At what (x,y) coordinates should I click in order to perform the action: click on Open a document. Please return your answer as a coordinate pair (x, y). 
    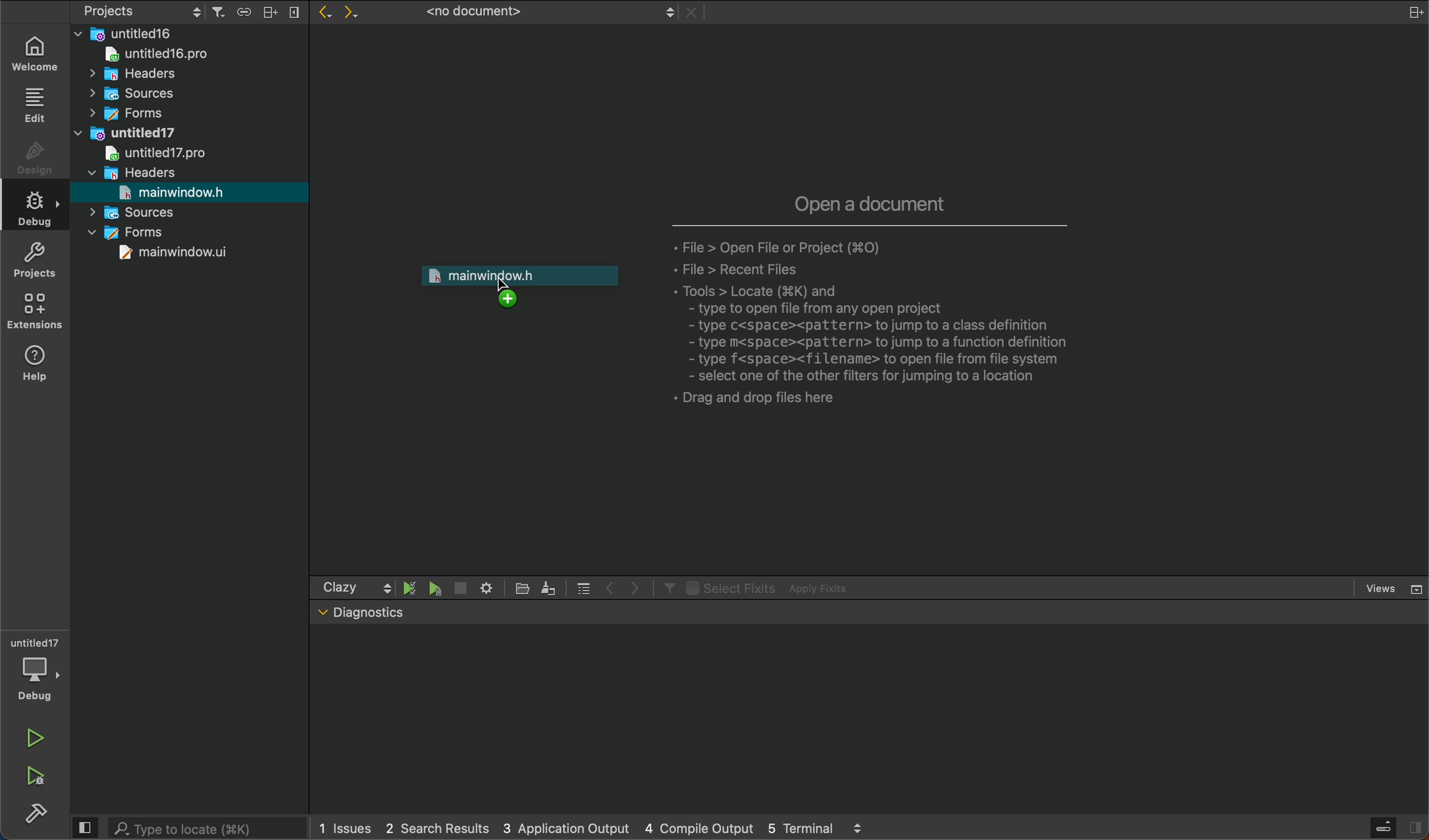
    Looking at the image, I should click on (872, 201).